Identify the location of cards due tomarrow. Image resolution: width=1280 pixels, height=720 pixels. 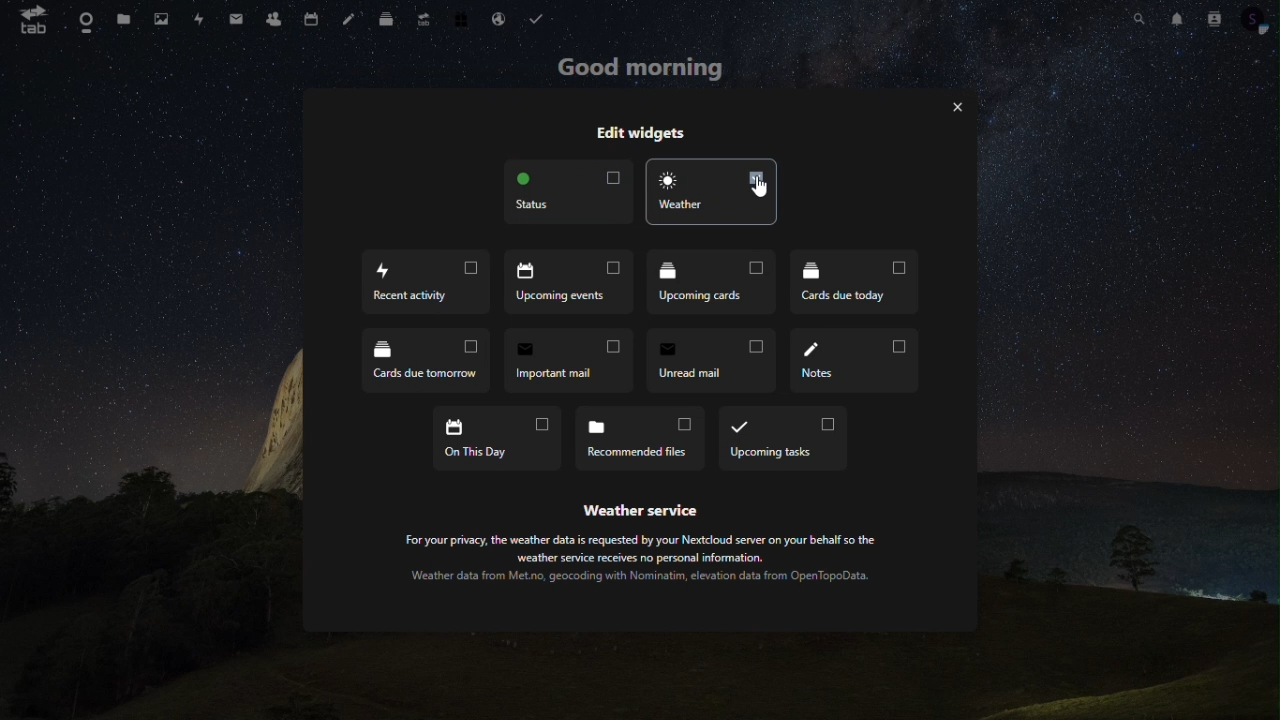
(427, 359).